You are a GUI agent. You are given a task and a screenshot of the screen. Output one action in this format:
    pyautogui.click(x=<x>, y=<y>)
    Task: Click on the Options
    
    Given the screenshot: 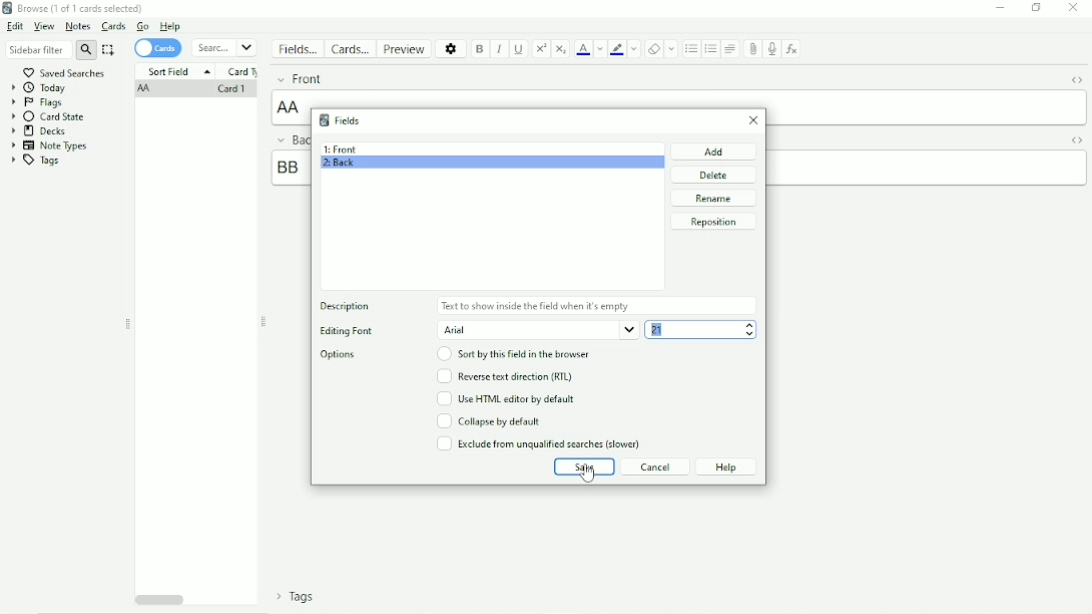 What is the action you would take?
    pyautogui.click(x=343, y=355)
    